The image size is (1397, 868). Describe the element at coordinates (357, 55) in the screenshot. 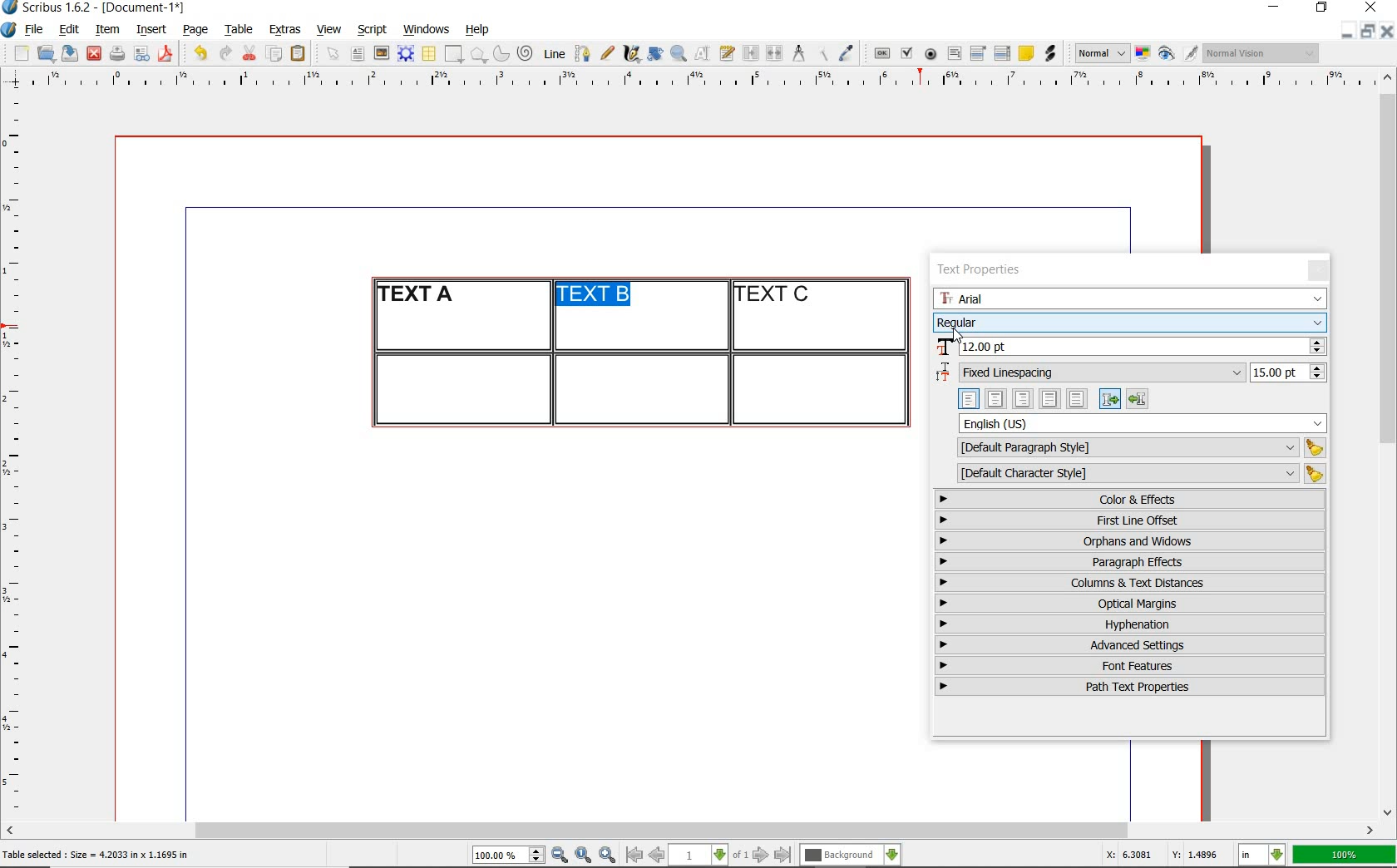

I see `text frame` at that location.